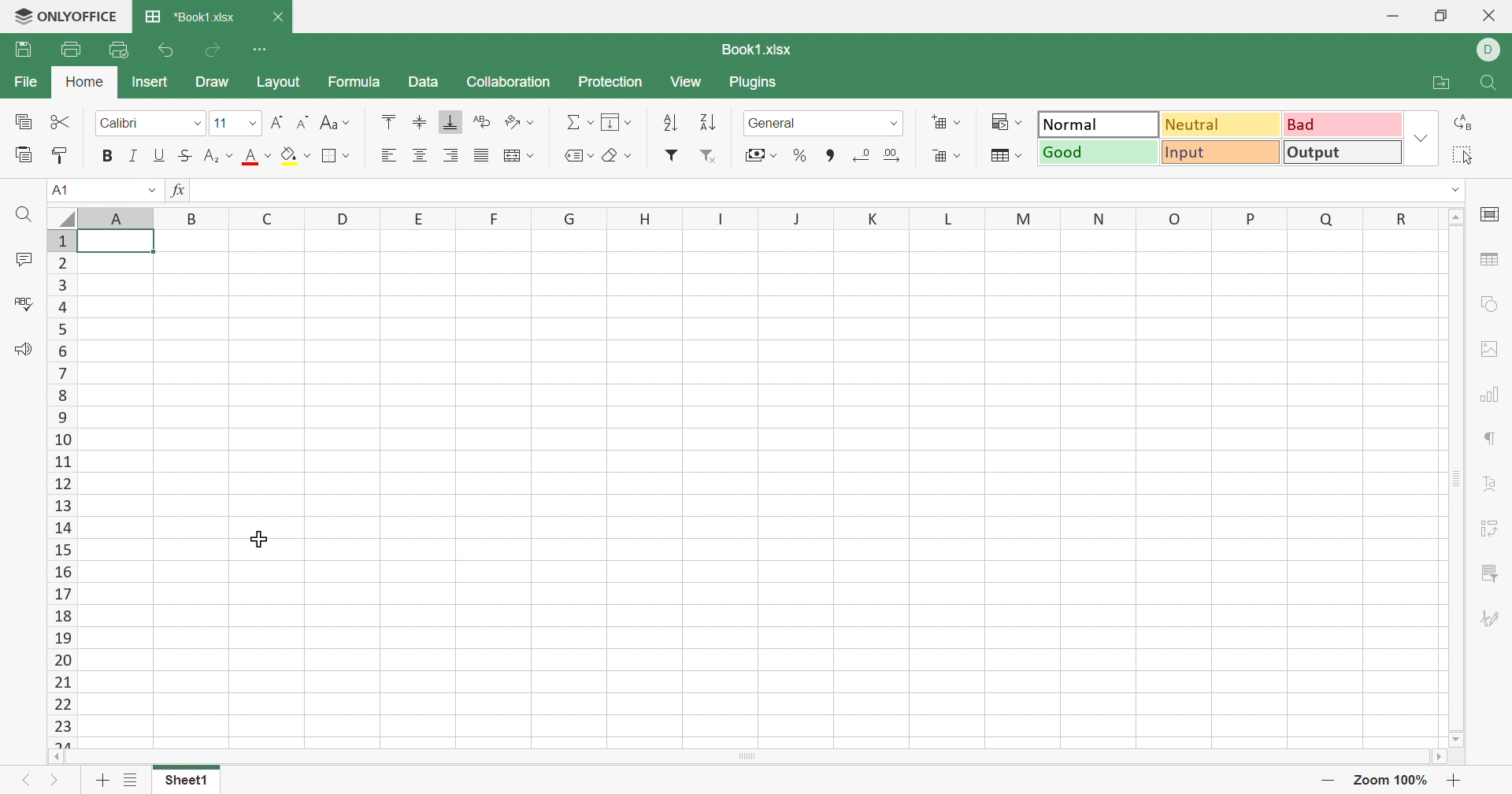  Describe the element at coordinates (801, 154) in the screenshot. I see `Percentage style` at that location.